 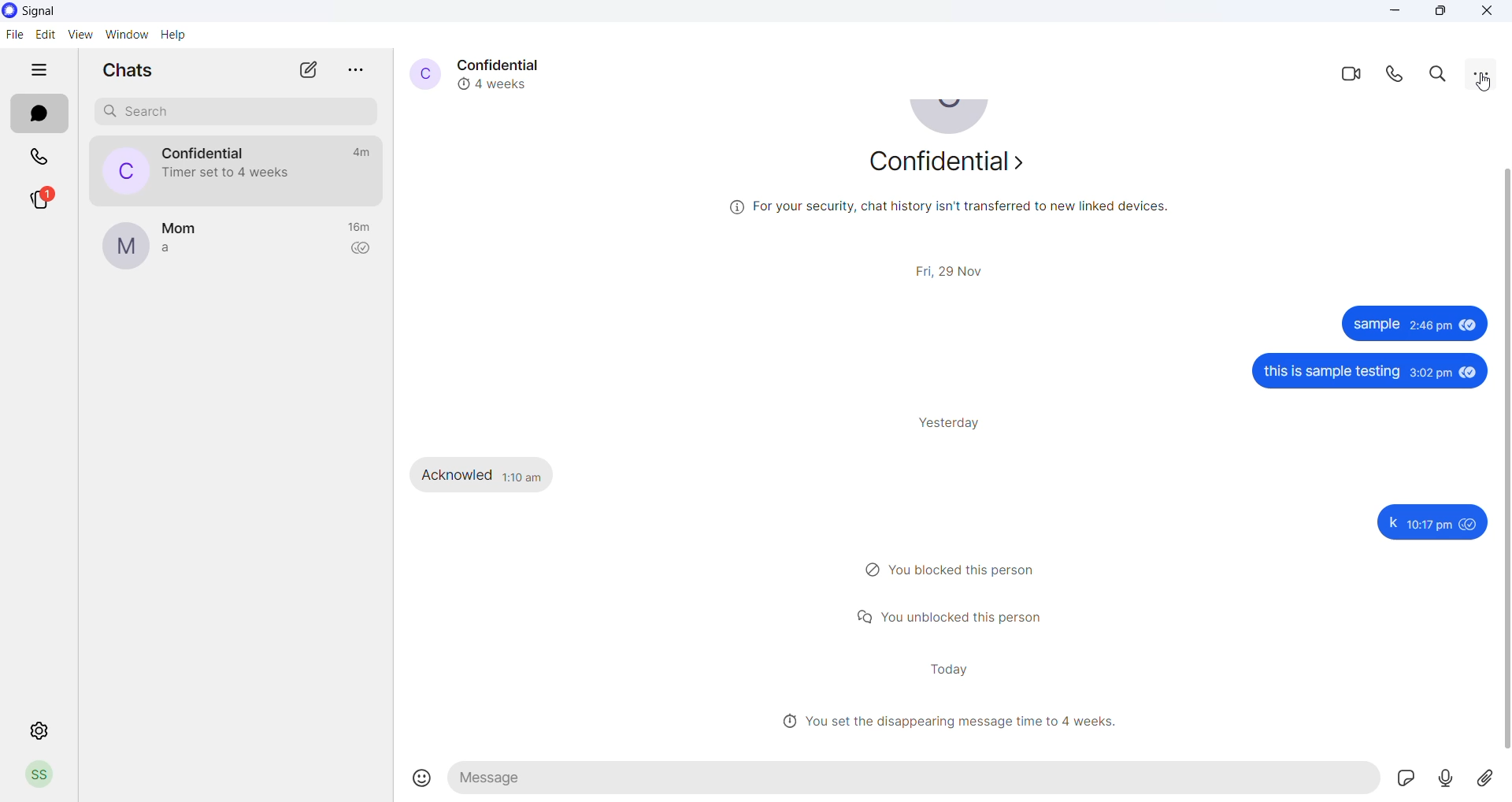 I want to click on contact name, so click(x=506, y=63).